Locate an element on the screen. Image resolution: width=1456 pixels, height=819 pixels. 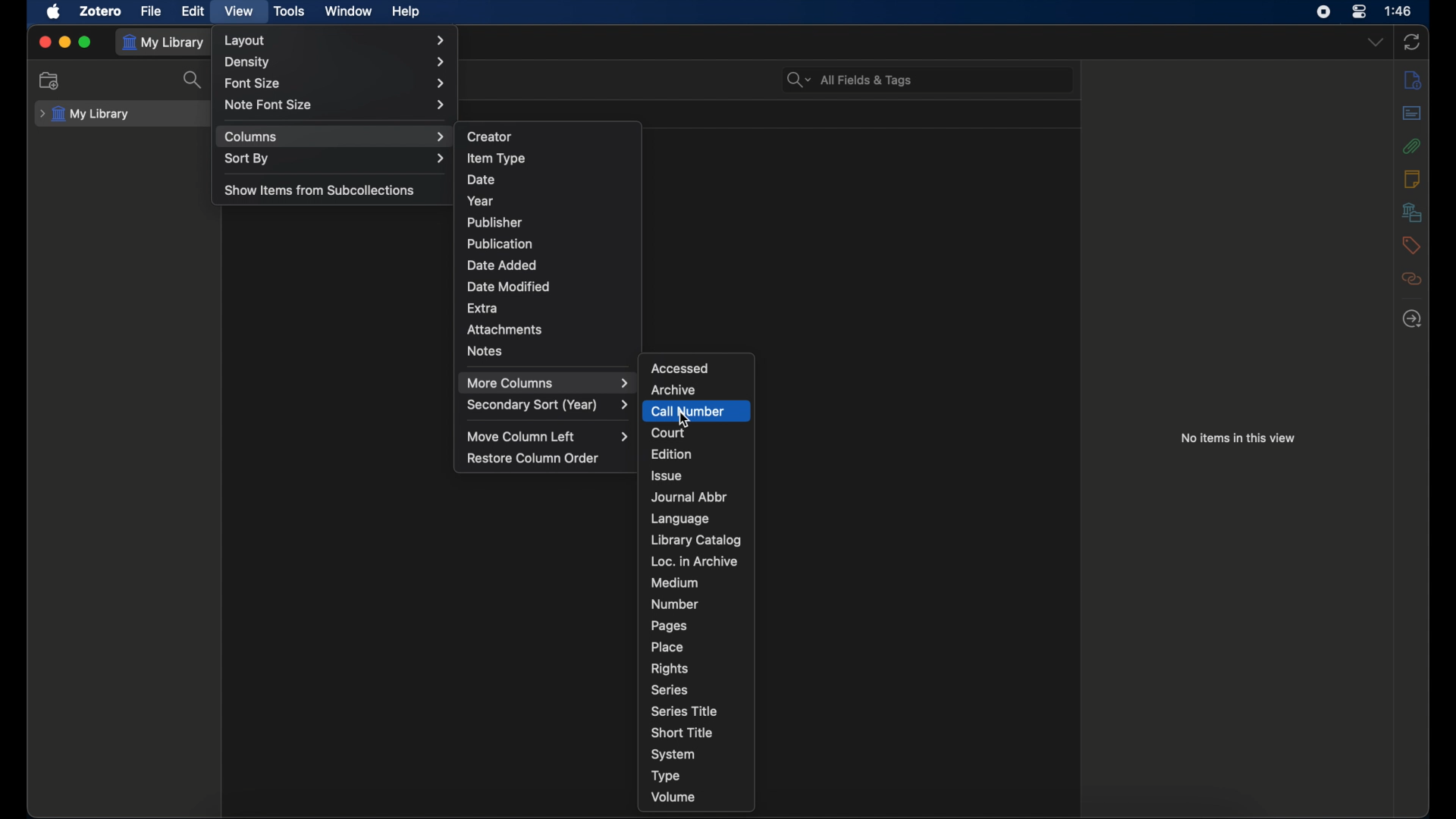
tools is located at coordinates (290, 10).